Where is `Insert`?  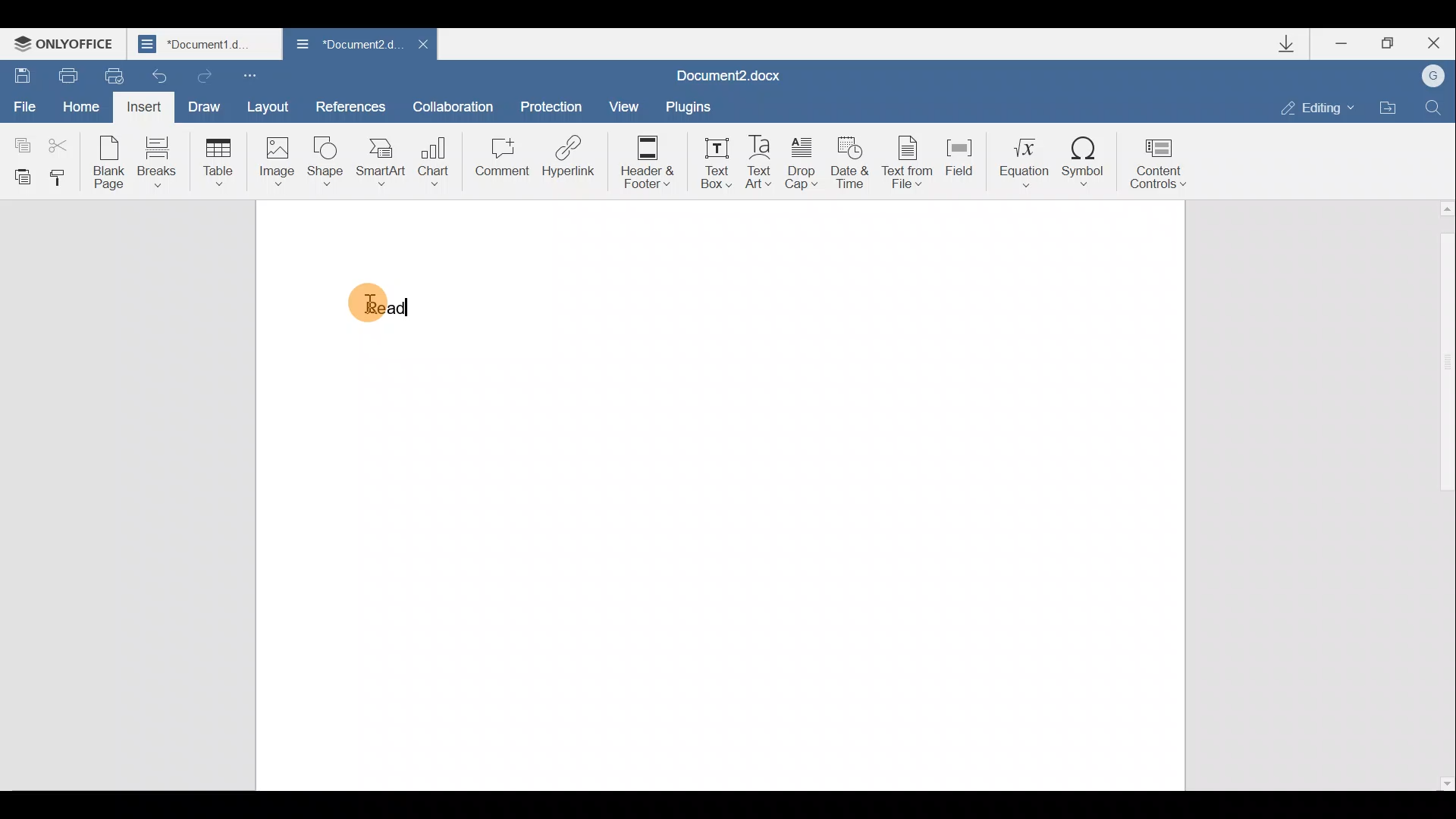
Insert is located at coordinates (142, 106).